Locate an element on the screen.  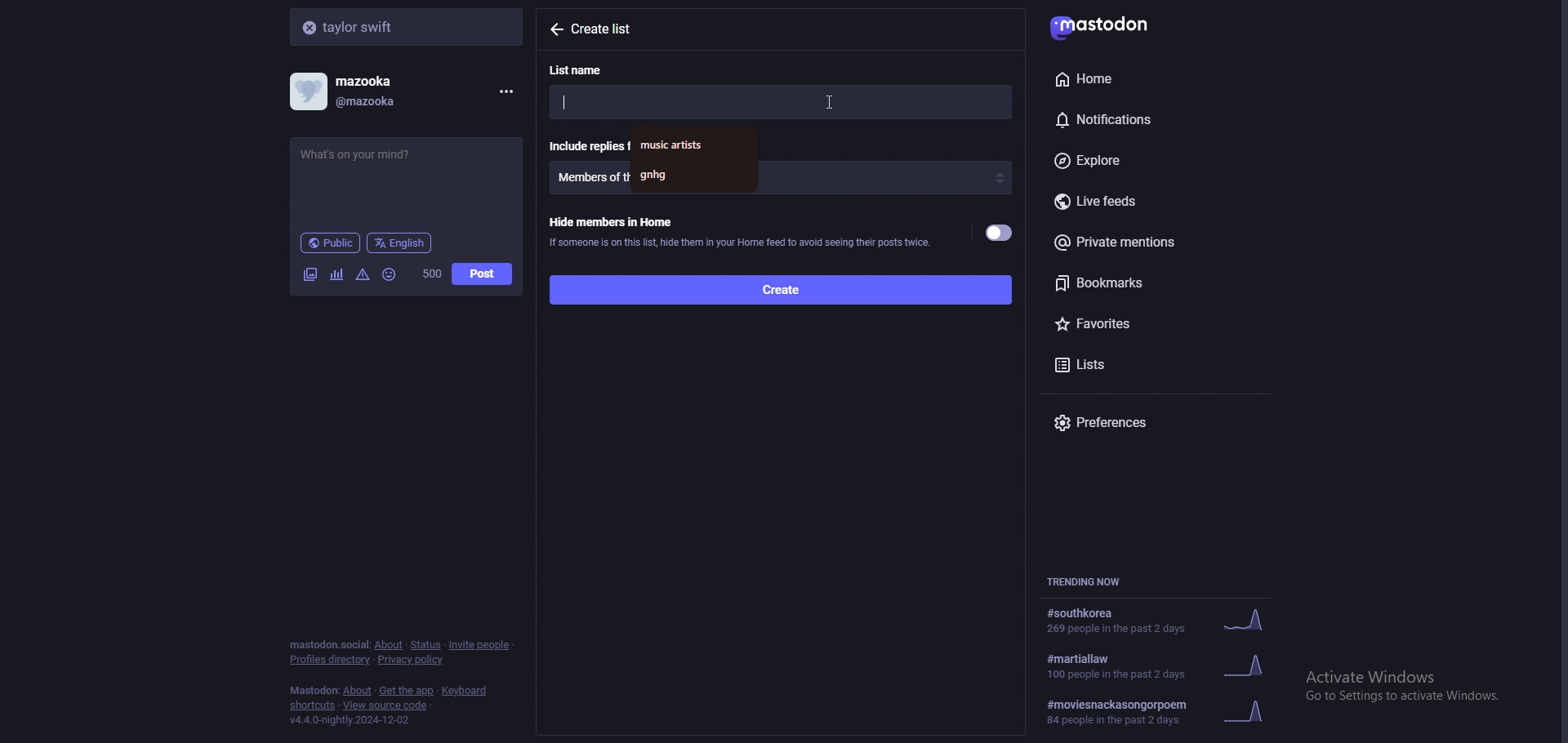
list name input is located at coordinates (780, 101).